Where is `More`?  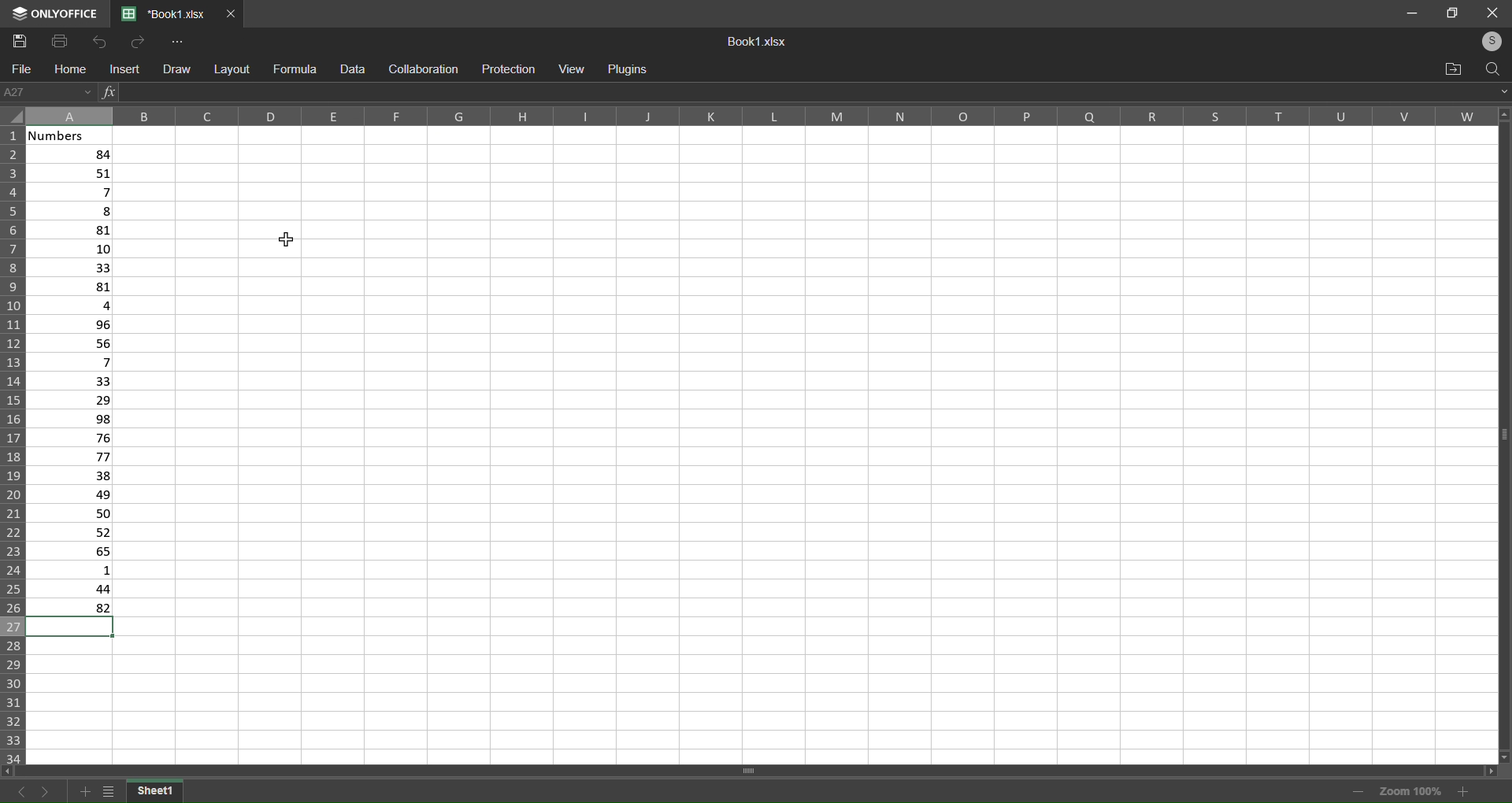
More is located at coordinates (180, 43).